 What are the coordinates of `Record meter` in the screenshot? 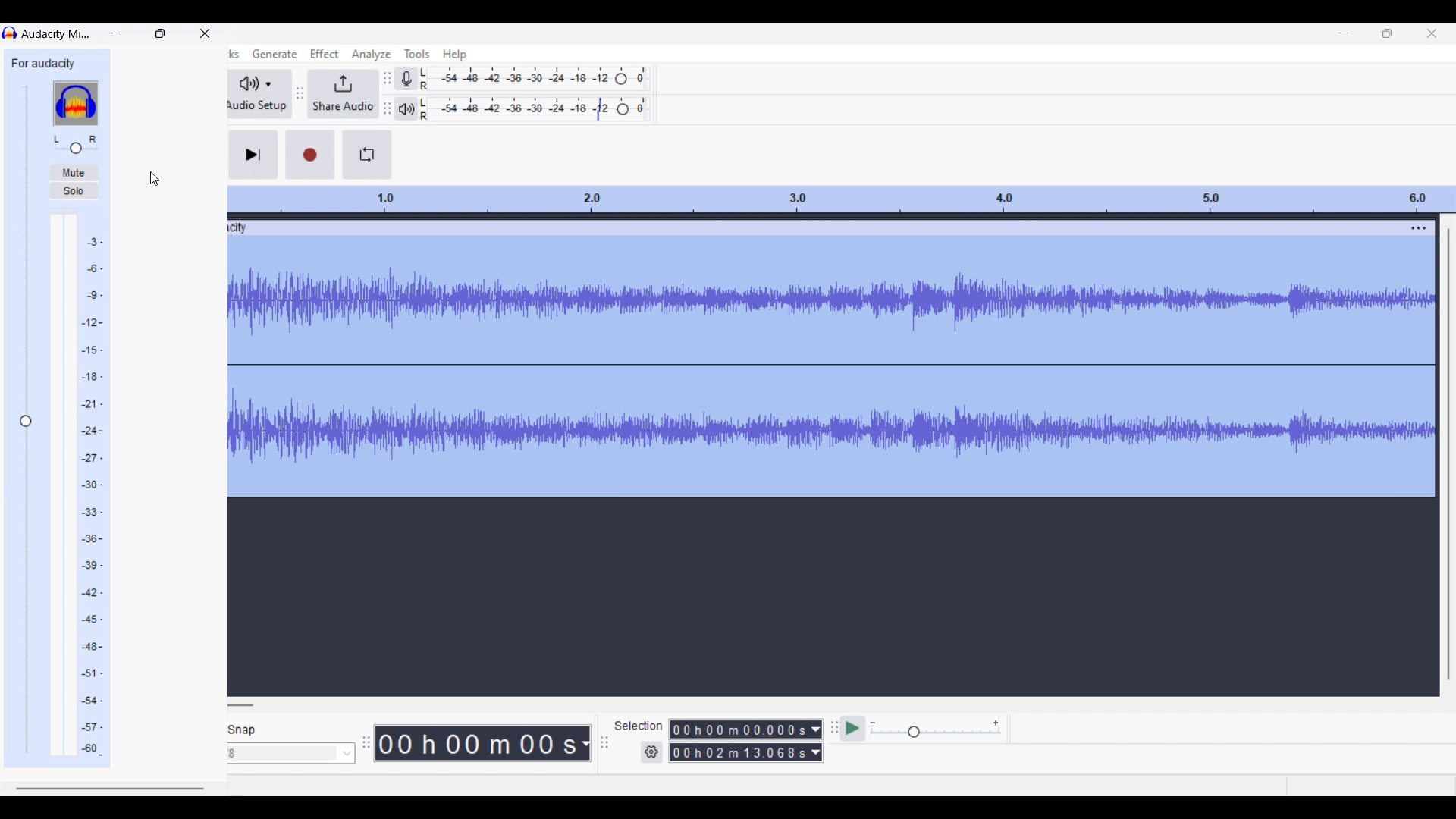 It's located at (405, 79).